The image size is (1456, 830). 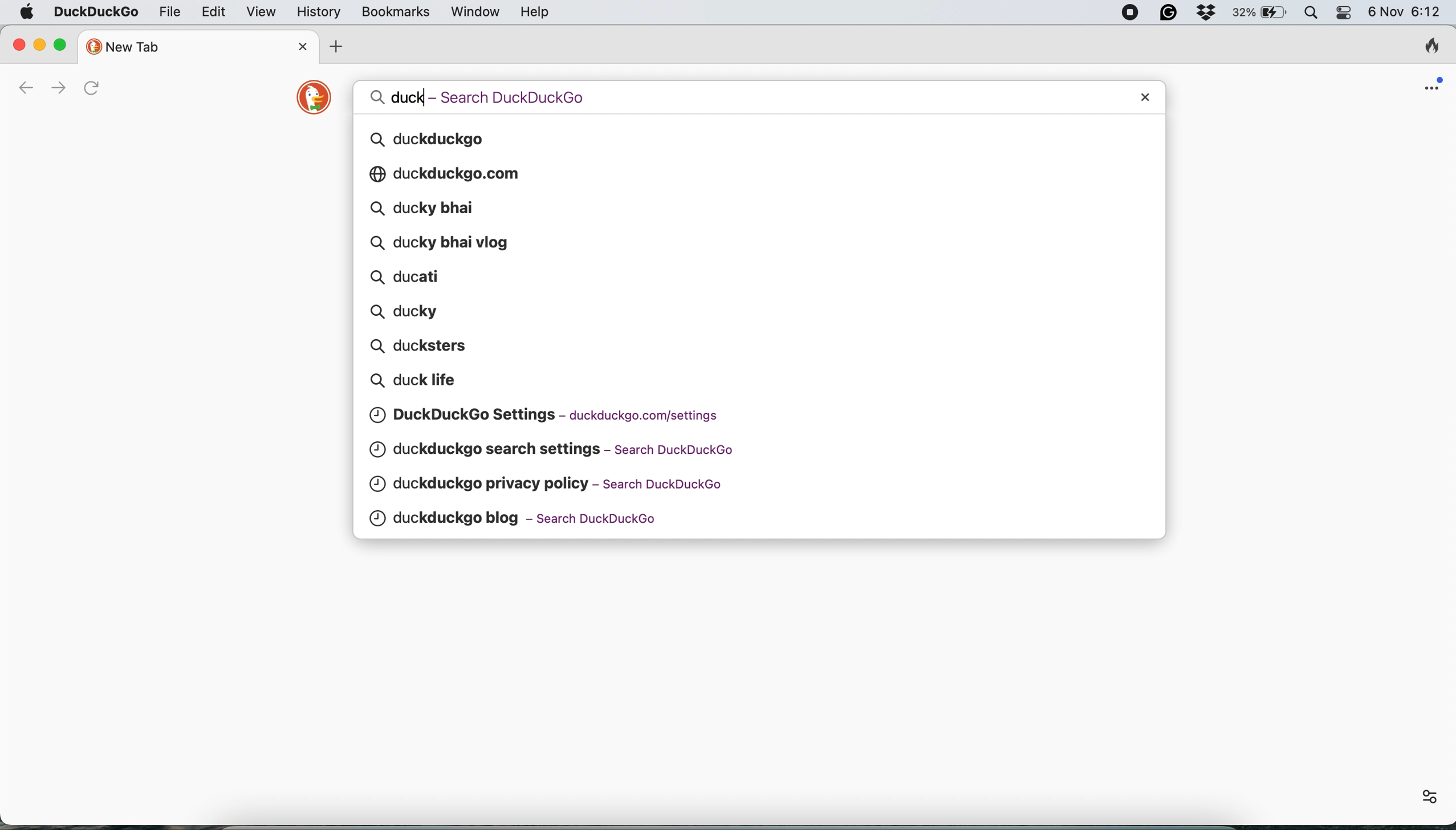 I want to click on dropbox, so click(x=1206, y=13).